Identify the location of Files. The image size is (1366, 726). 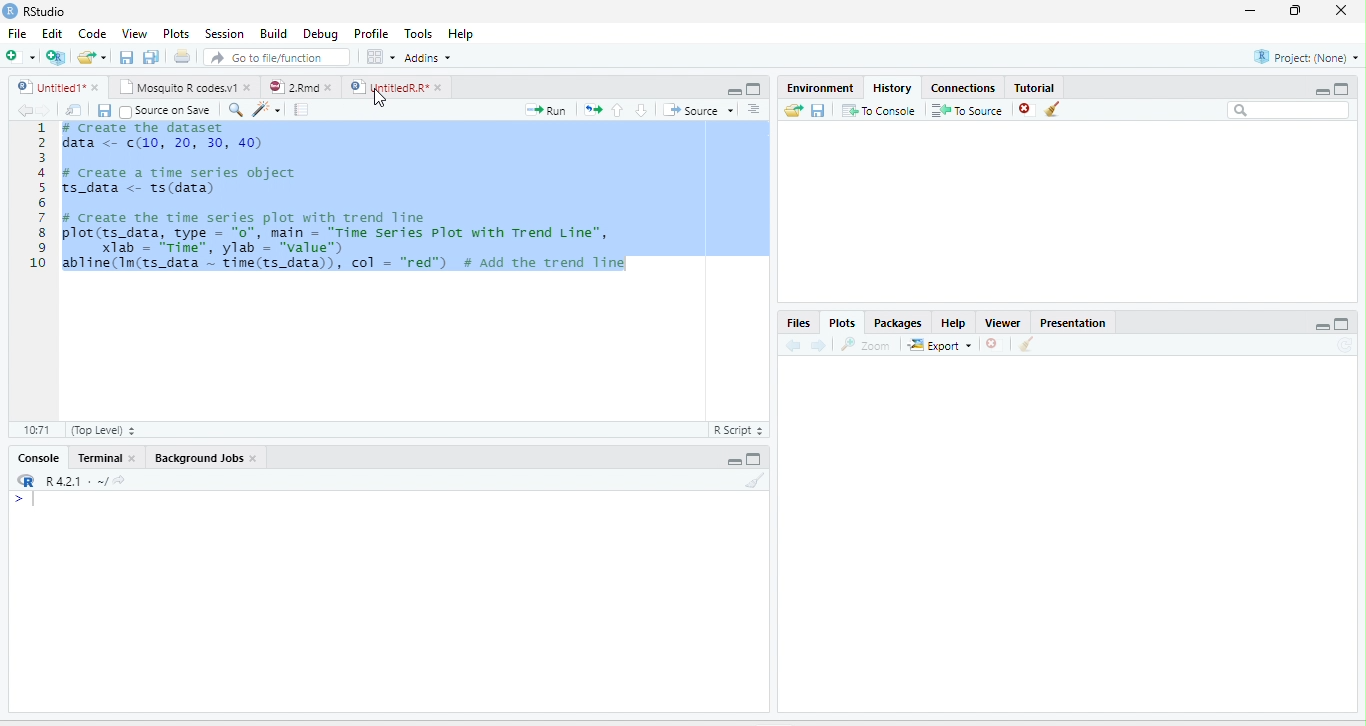
(799, 323).